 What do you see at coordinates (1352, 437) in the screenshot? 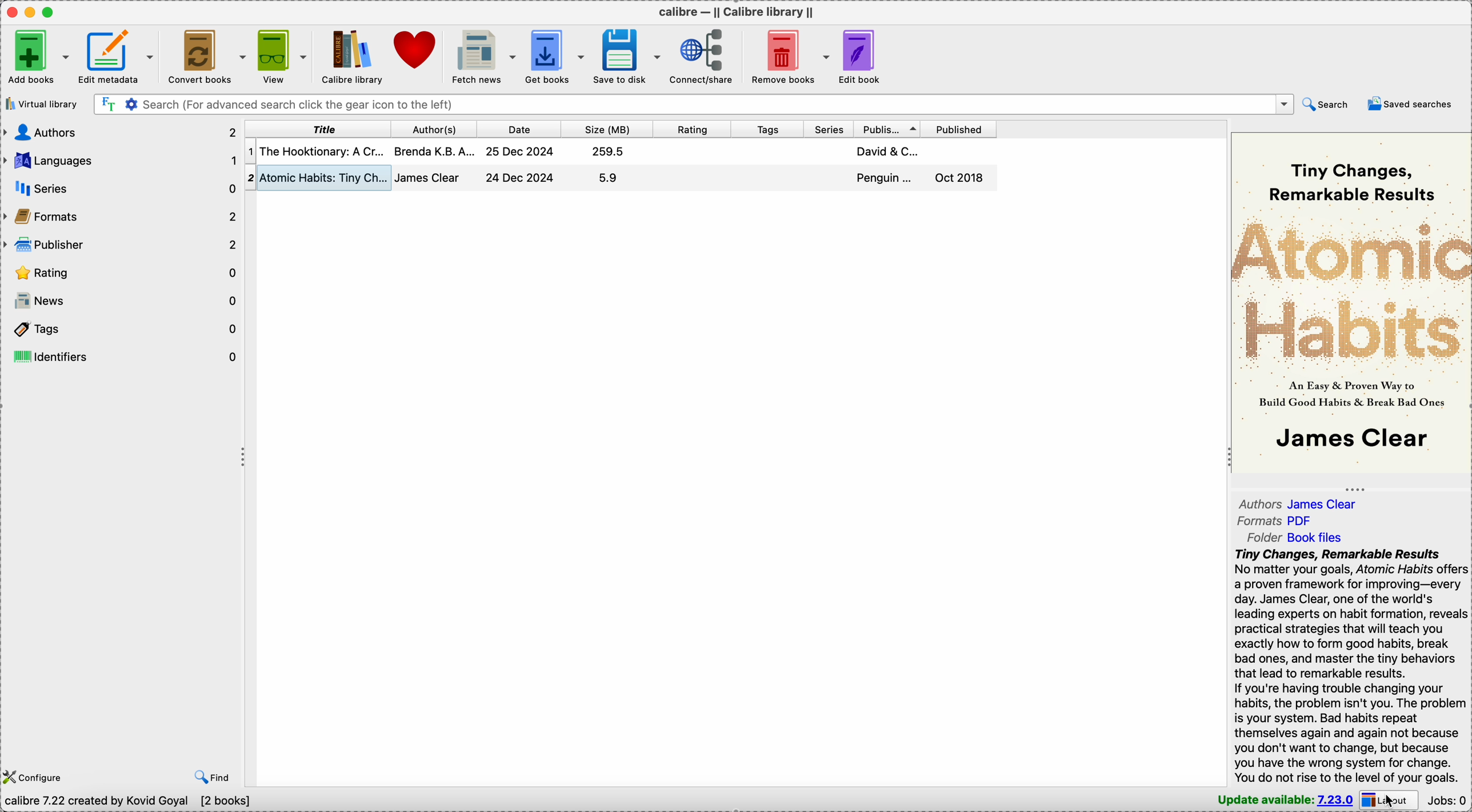
I see `james clear` at bounding box center [1352, 437].